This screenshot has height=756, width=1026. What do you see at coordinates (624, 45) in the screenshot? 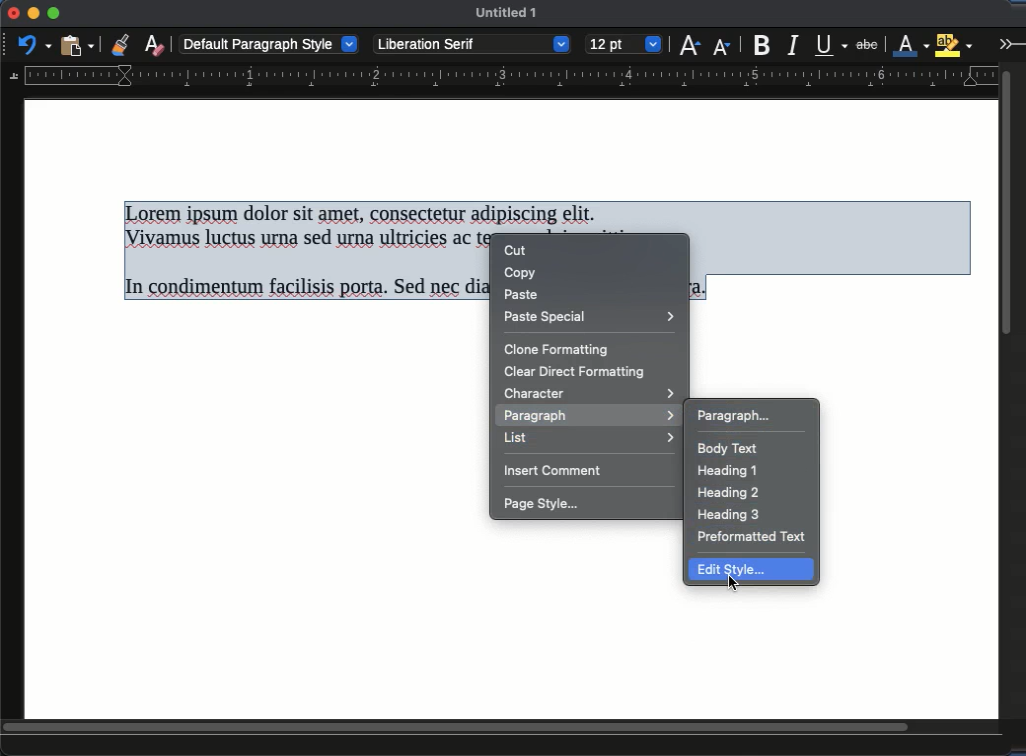
I see `12 pt` at bounding box center [624, 45].